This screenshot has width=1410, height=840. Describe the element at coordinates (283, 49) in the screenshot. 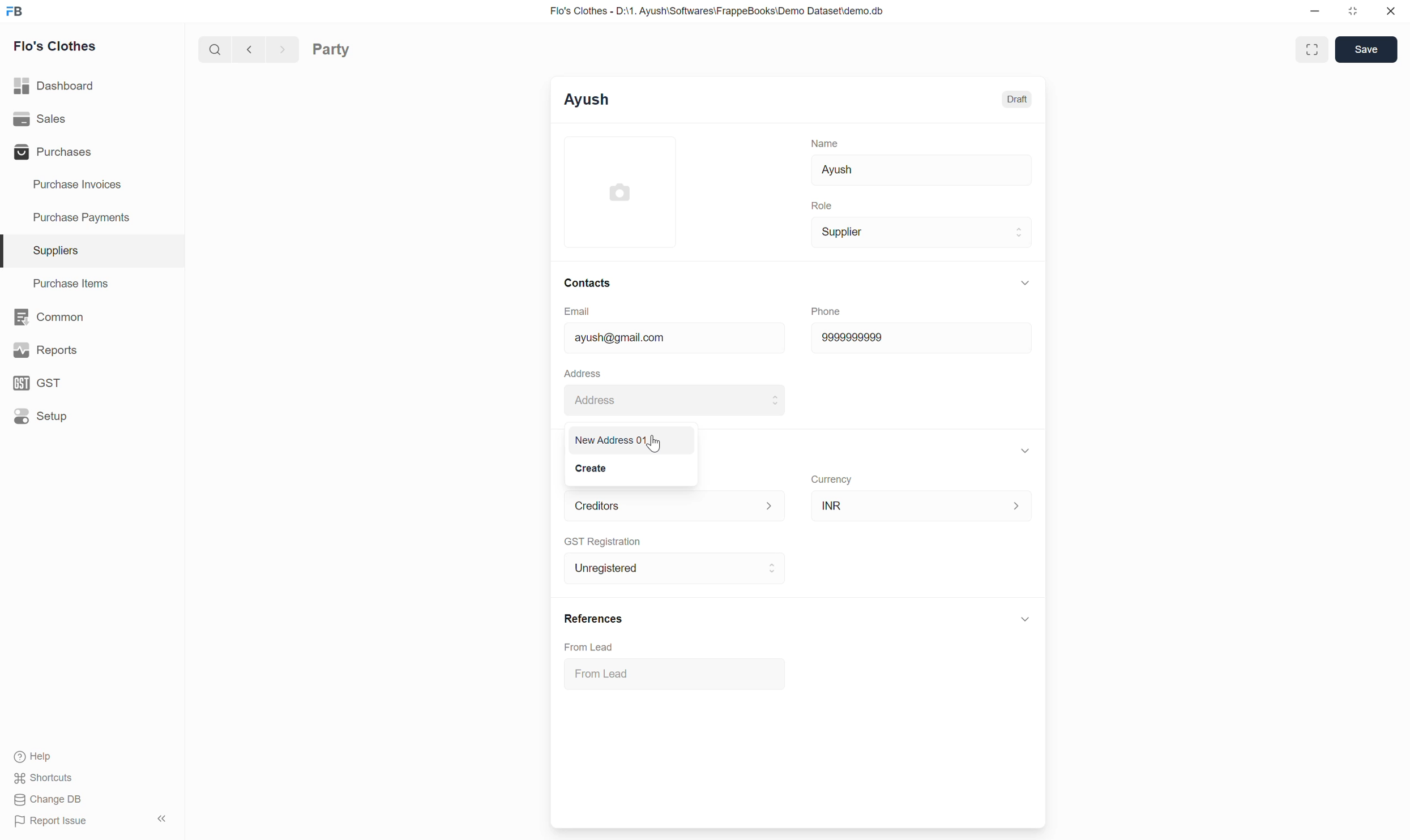

I see `Next` at that location.